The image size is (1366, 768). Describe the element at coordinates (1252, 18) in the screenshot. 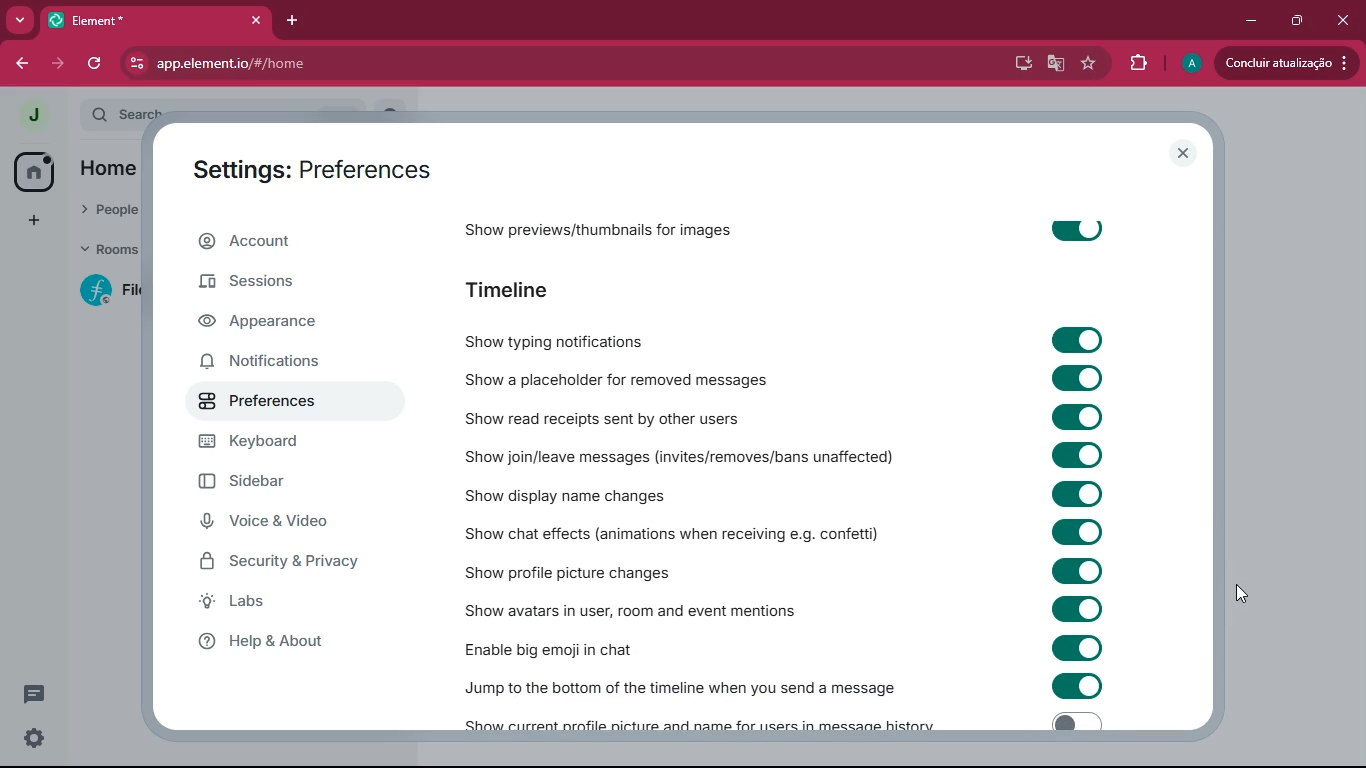

I see `minimize` at that location.